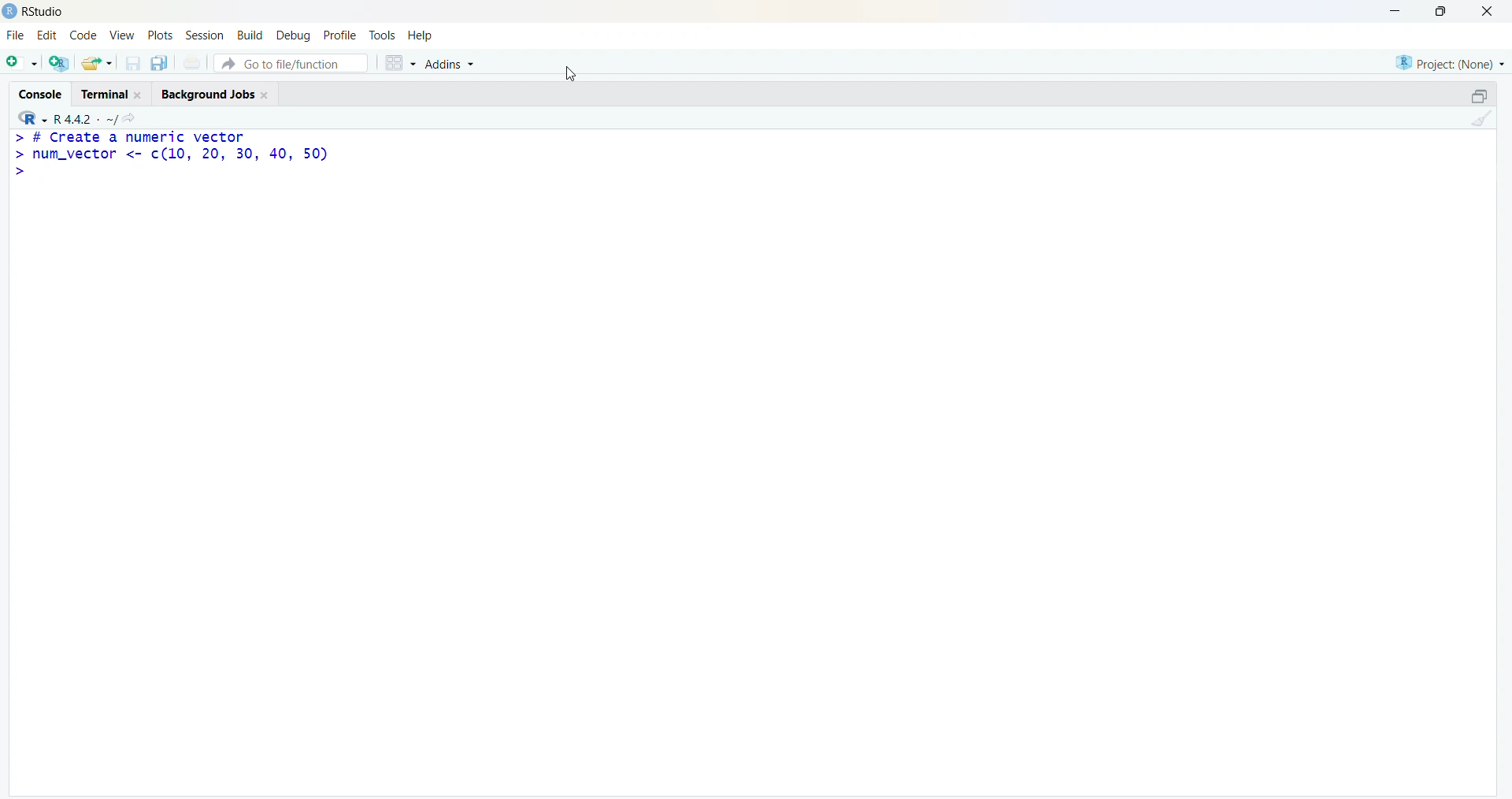 This screenshot has height=799, width=1512. What do you see at coordinates (291, 63) in the screenshot?
I see `go to file/function` at bounding box center [291, 63].